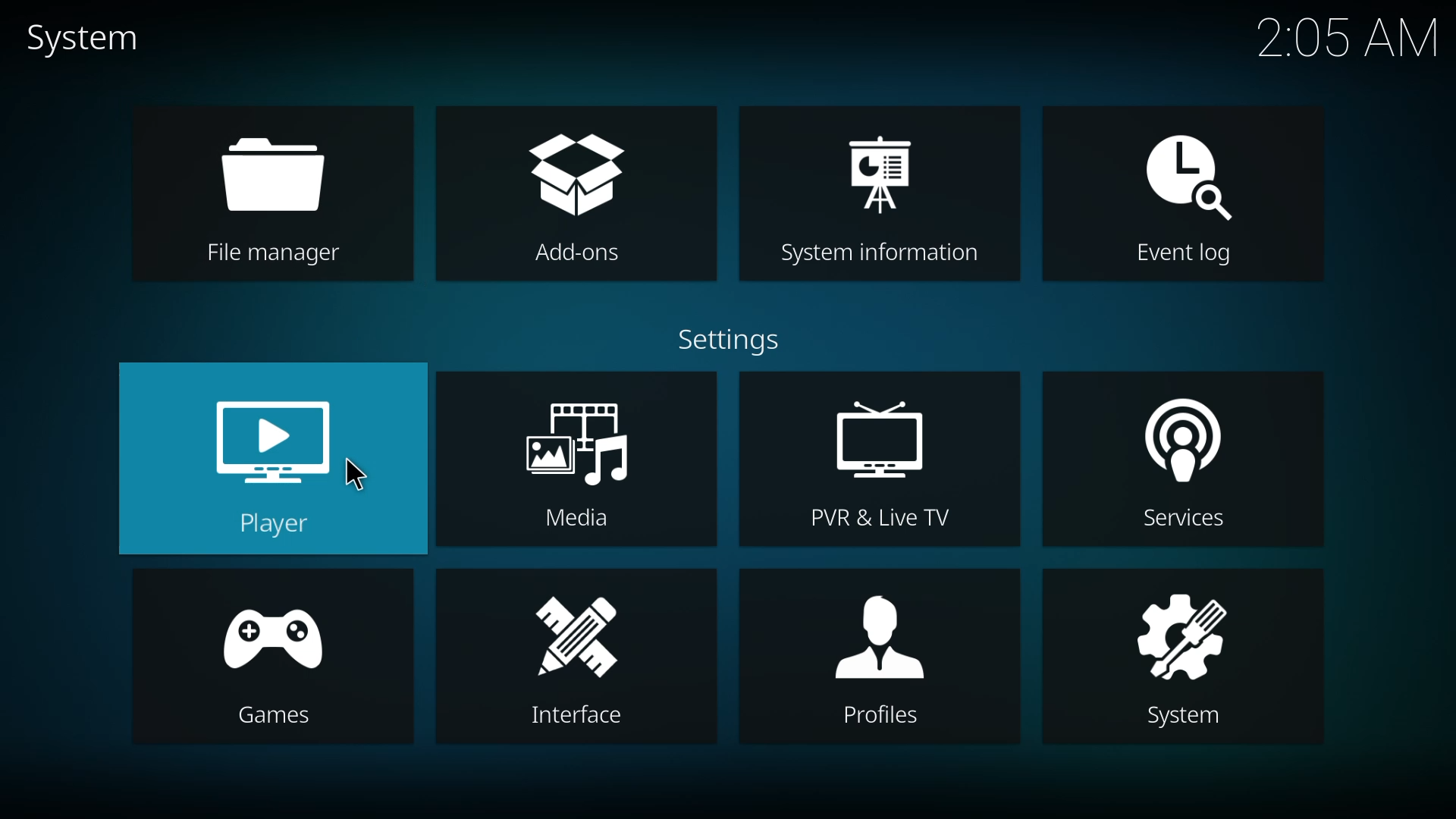  Describe the element at coordinates (738, 337) in the screenshot. I see `settings` at that location.